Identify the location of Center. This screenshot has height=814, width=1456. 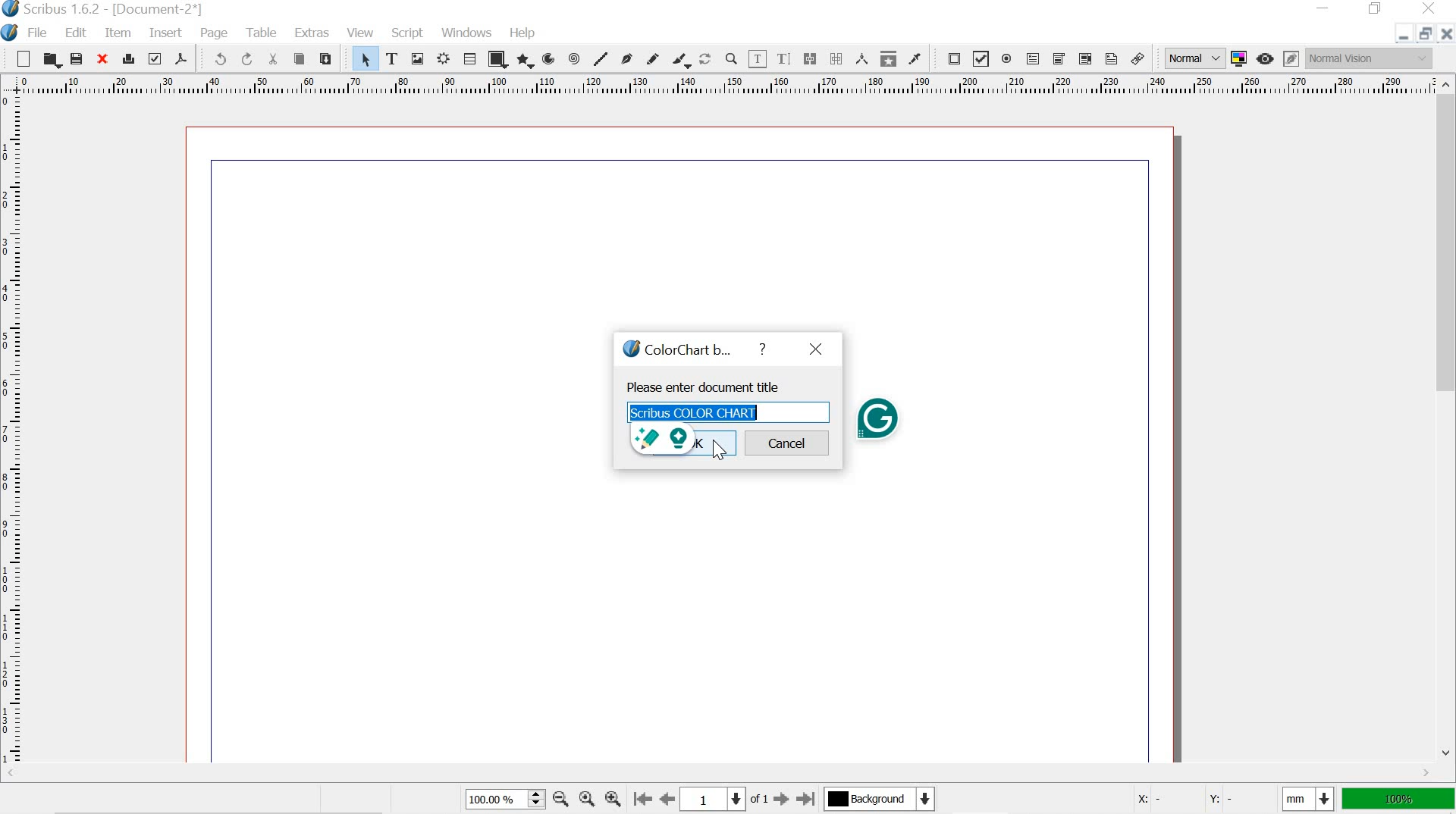
(585, 799).